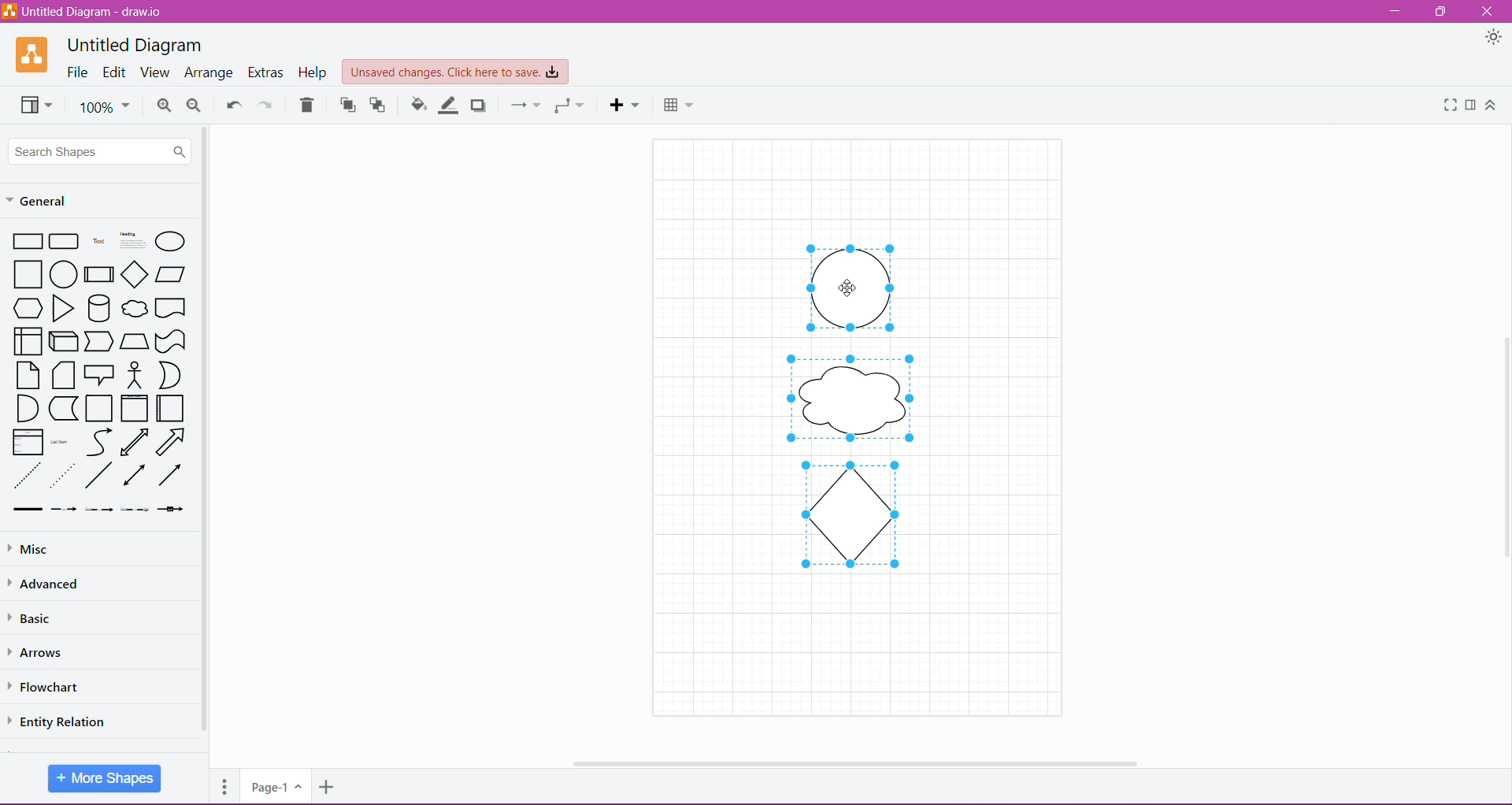 The height and width of the screenshot is (805, 1512). Describe the element at coordinates (205, 431) in the screenshot. I see `Vertical Scroll Bar` at that location.